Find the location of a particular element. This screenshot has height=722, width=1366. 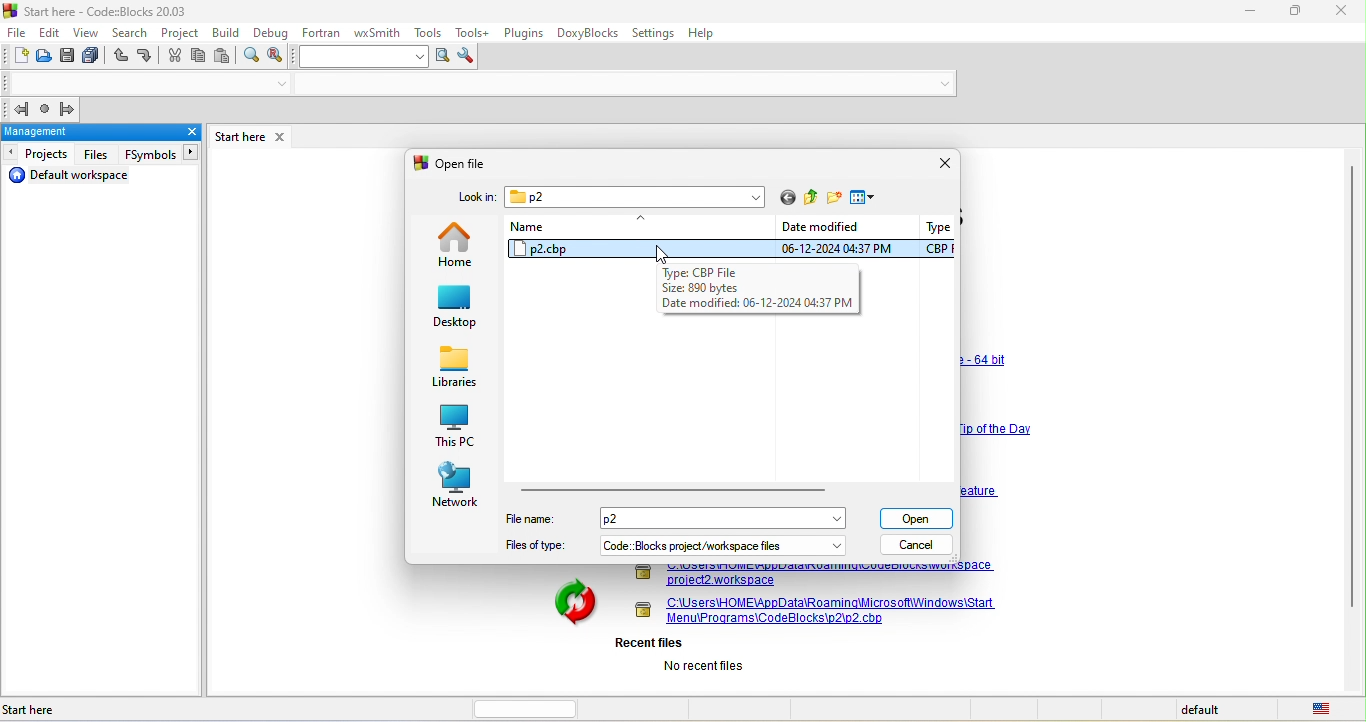

tools++ is located at coordinates (475, 34).